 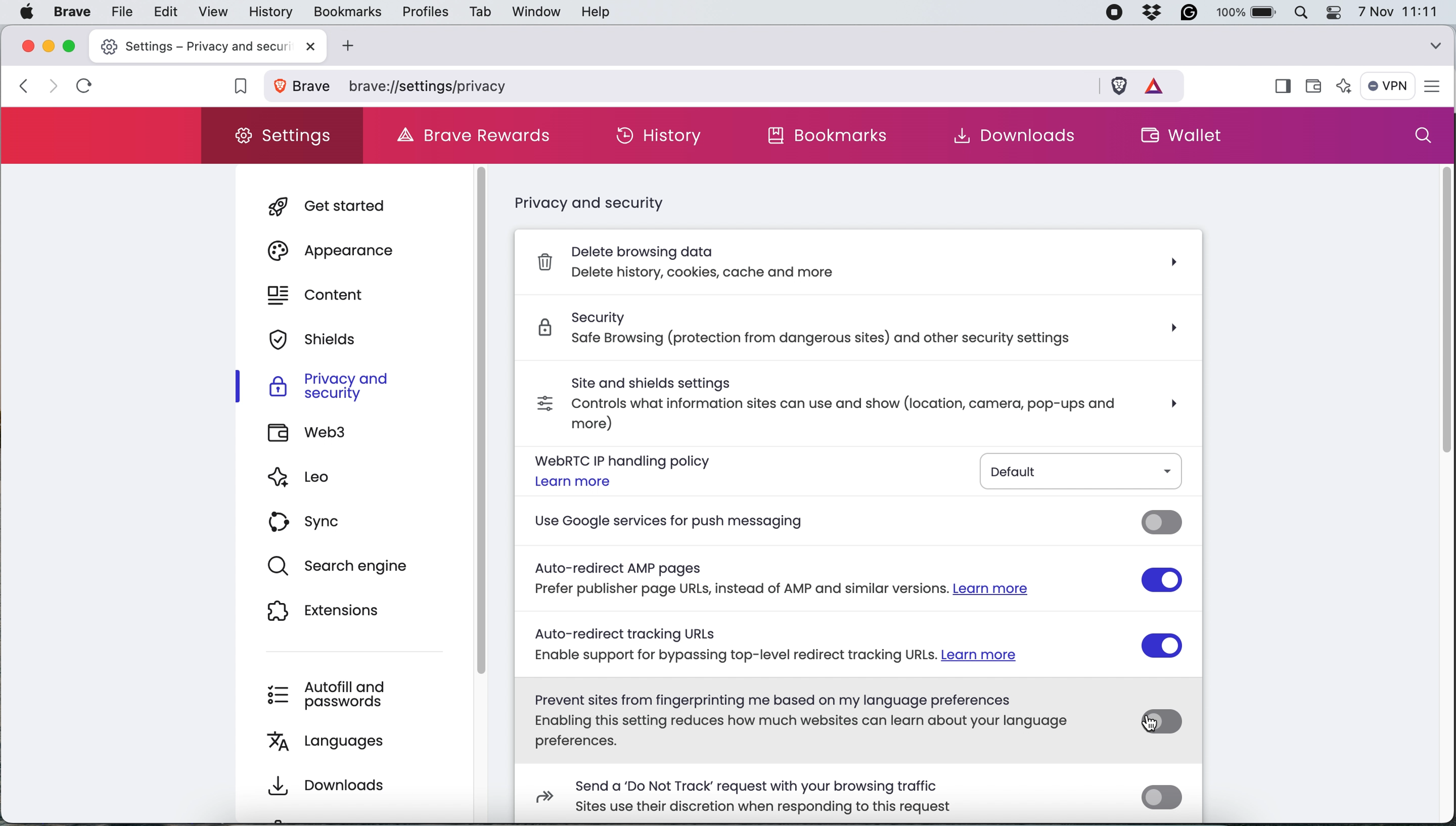 What do you see at coordinates (1083, 470) in the screenshot?
I see `default` at bounding box center [1083, 470].